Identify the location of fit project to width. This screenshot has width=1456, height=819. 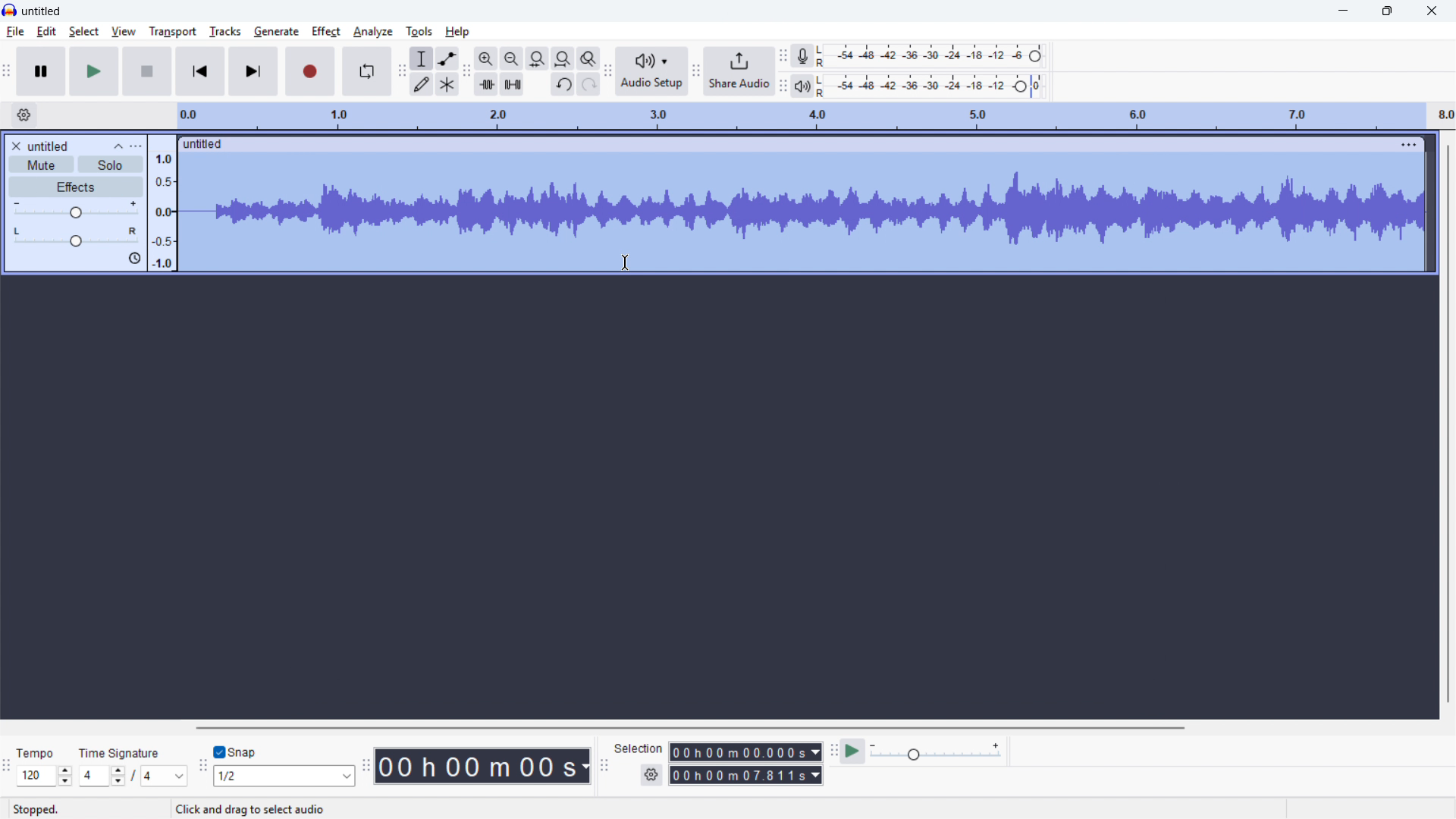
(562, 58).